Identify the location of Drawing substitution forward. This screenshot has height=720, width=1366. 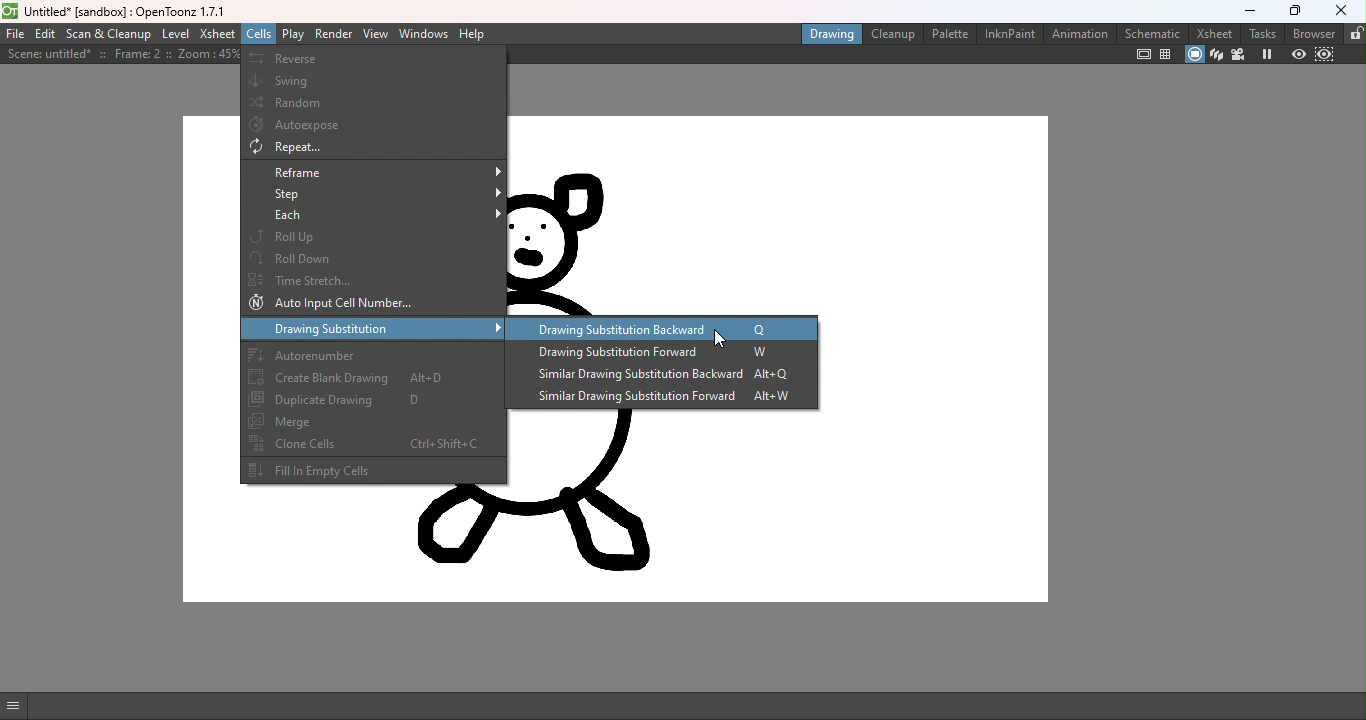
(667, 353).